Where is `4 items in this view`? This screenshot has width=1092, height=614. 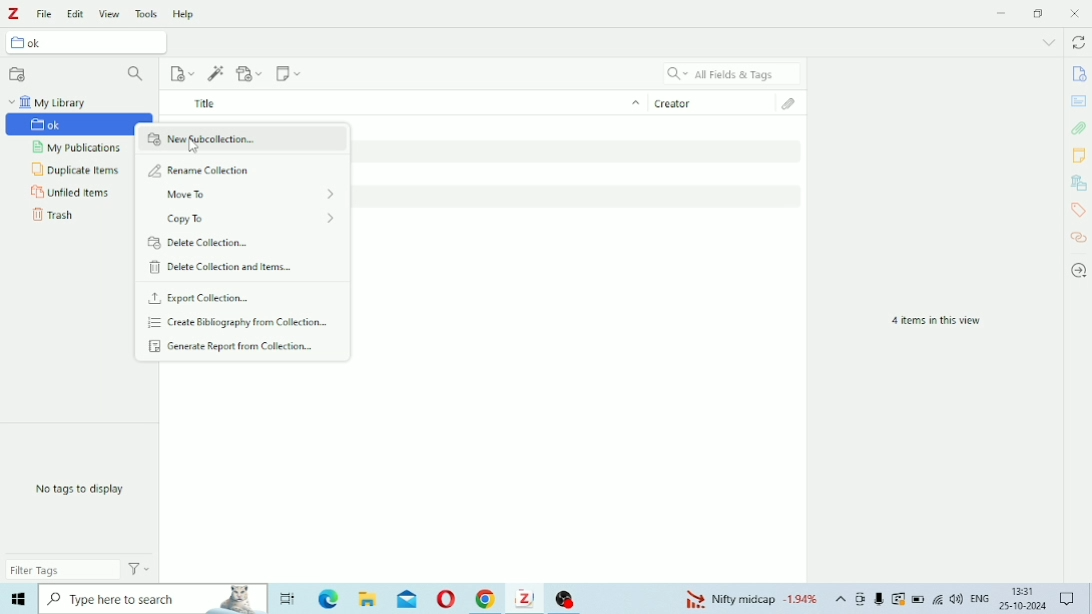 4 items in this view is located at coordinates (936, 321).